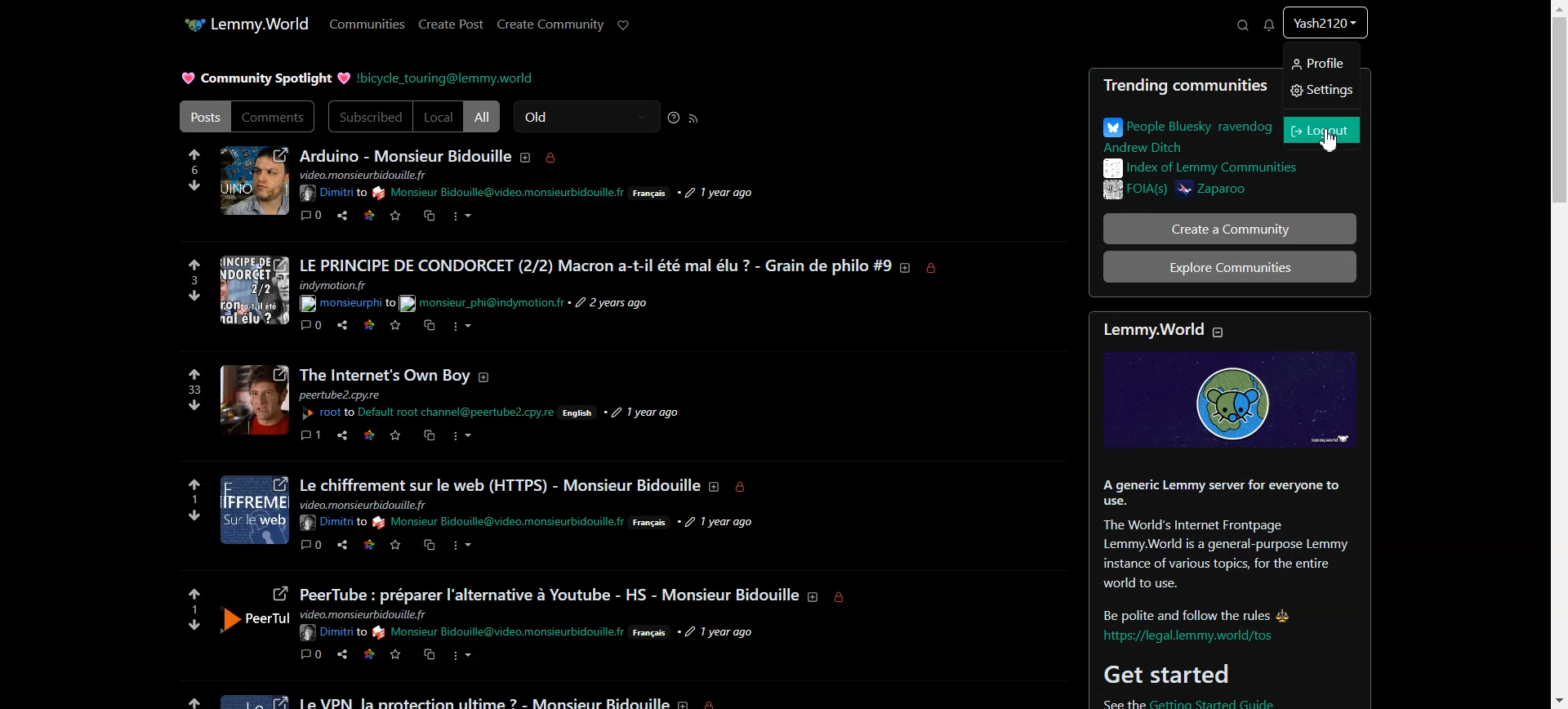  I want to click on hyperlink, so click(501, 193).